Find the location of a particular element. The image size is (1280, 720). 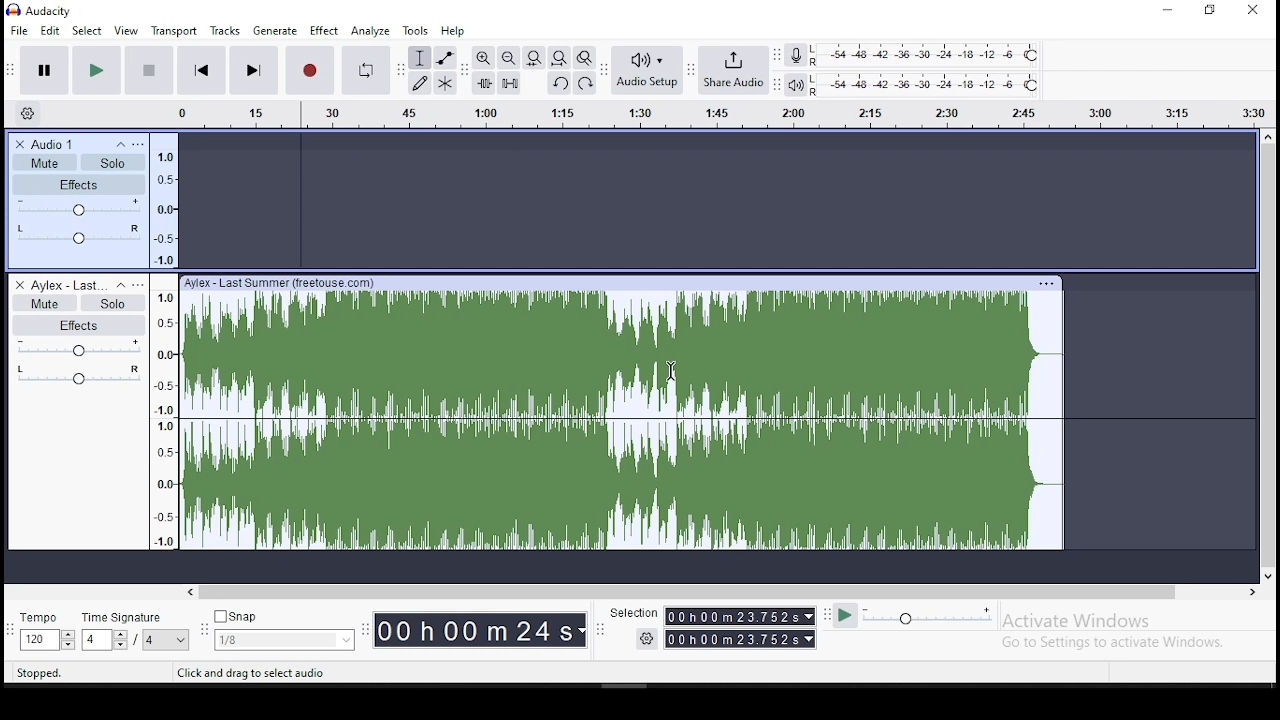

enable looping is located at coordinates (366, 70).